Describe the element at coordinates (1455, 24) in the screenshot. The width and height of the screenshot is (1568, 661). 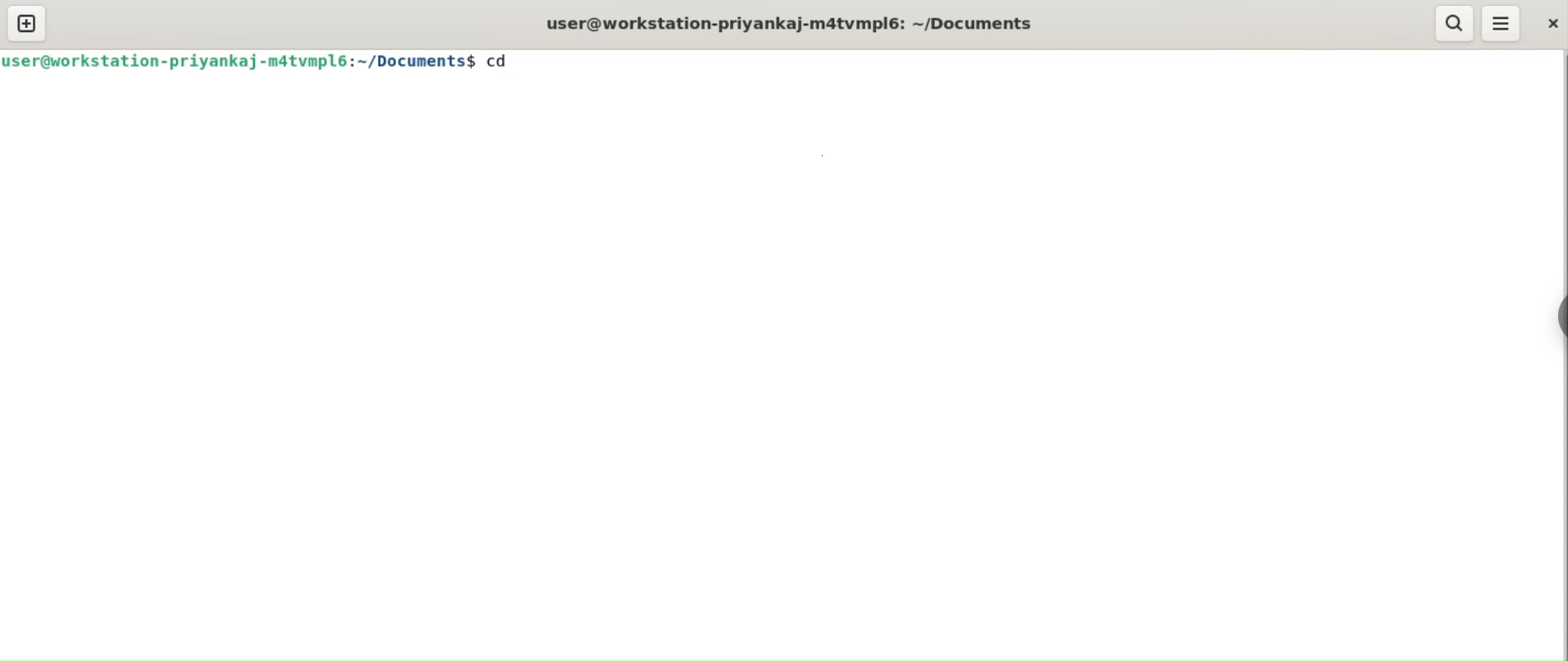
I see `search` at that location.